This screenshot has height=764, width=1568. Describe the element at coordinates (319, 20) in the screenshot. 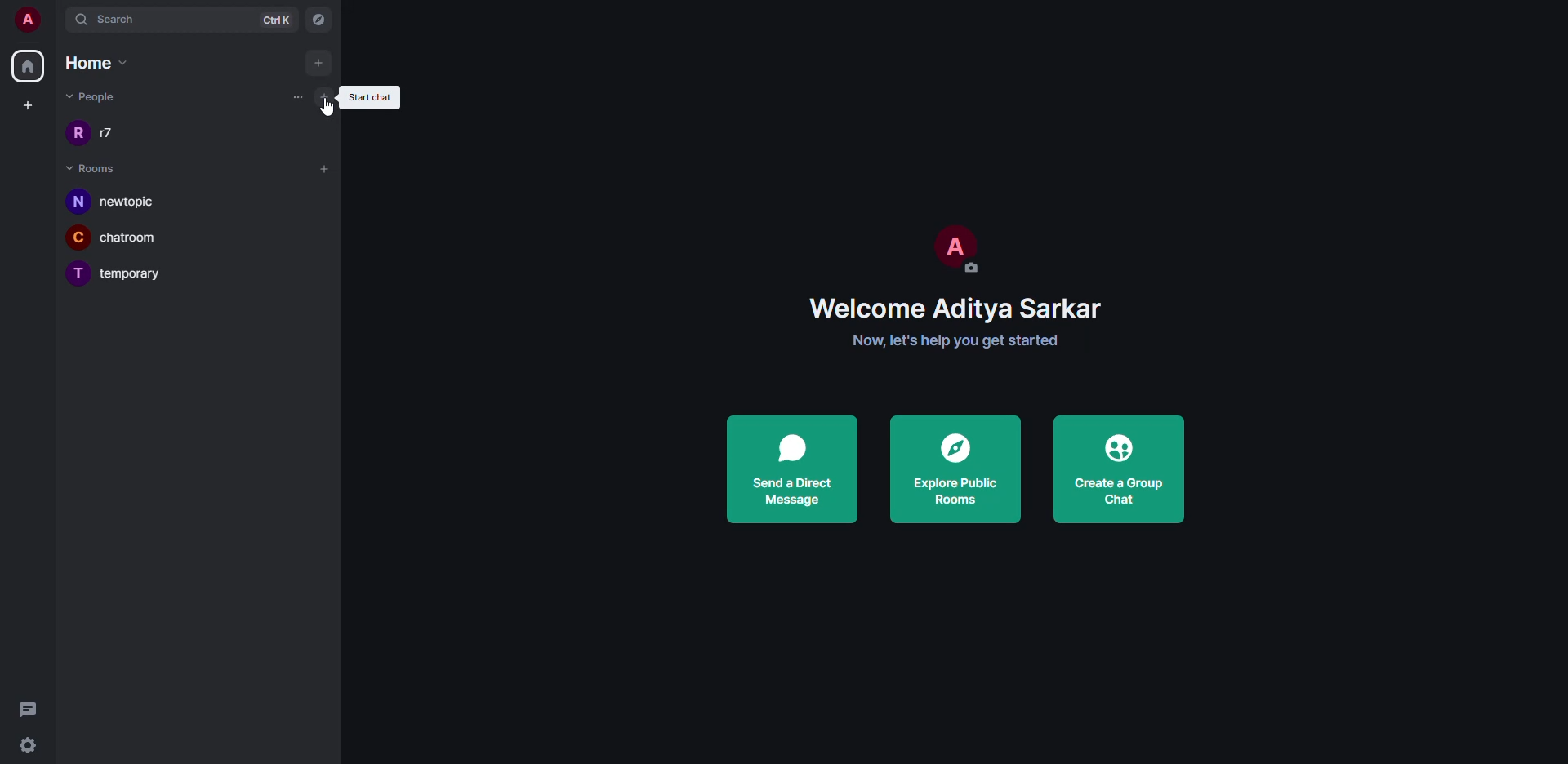

I see `navigator` at that location.